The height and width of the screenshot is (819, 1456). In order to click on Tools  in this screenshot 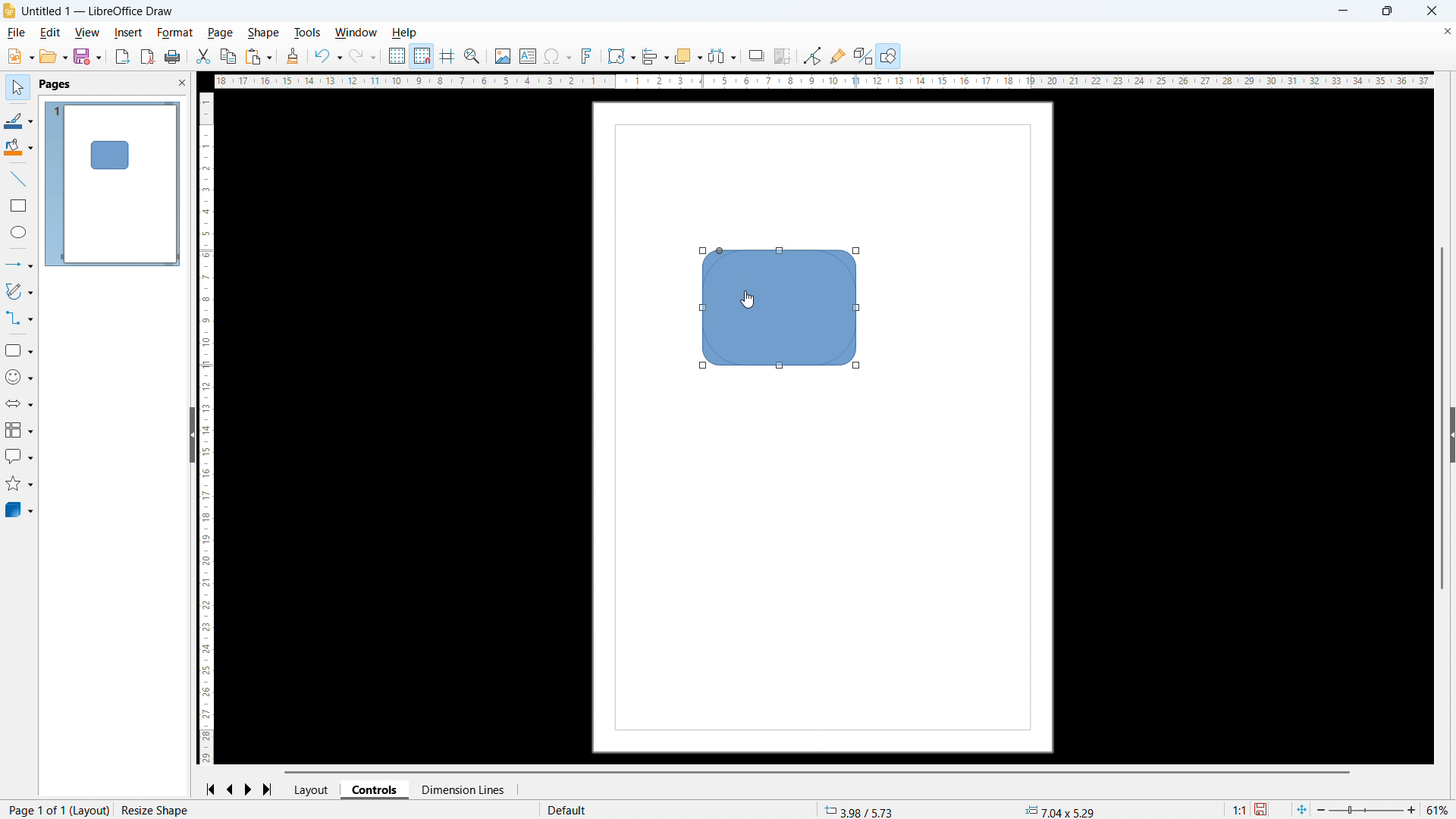, I will do `click(308, 32)`.